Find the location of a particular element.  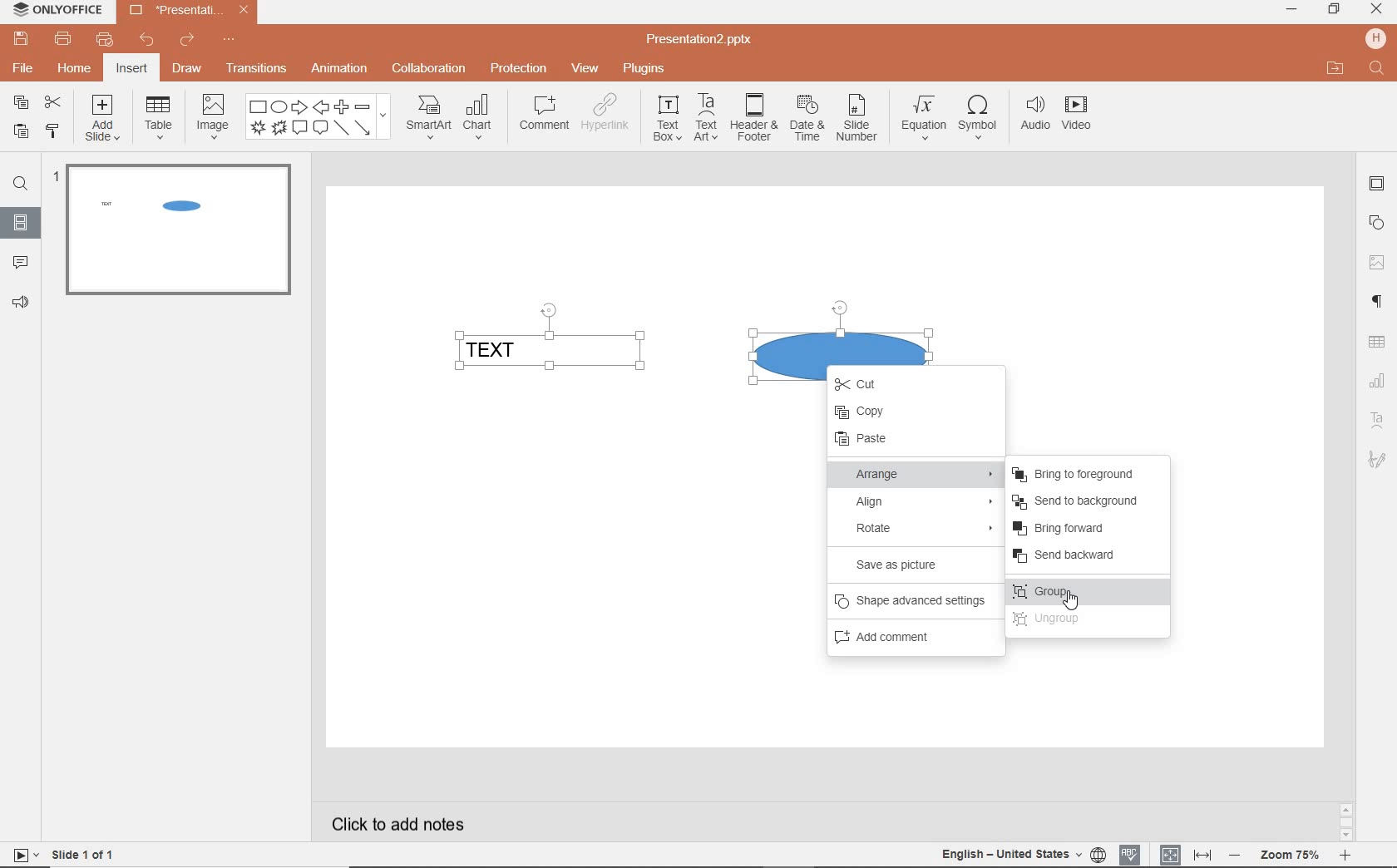

animation is located at coordinates (338, 70).